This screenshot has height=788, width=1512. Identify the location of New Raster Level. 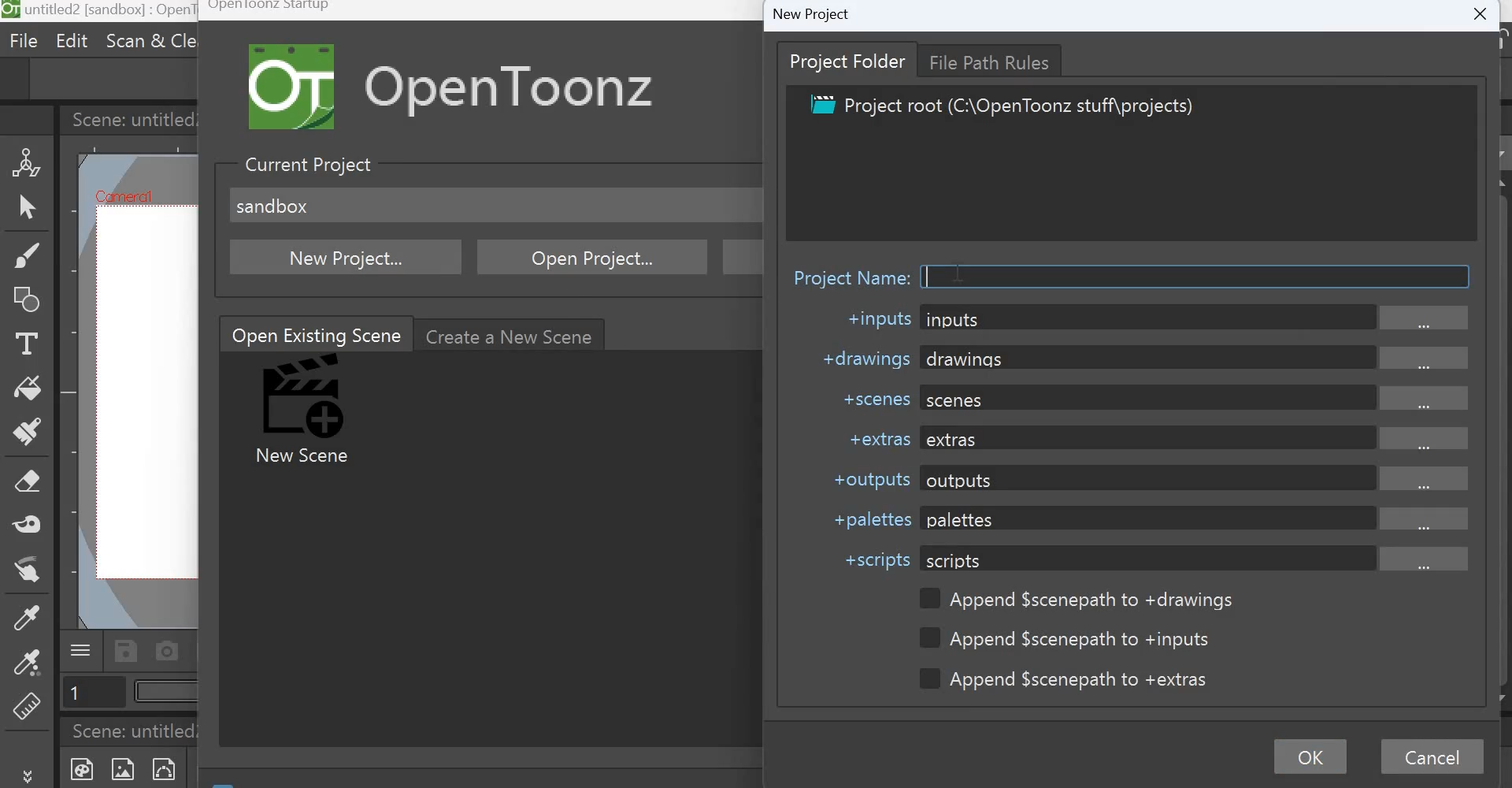
(128, 769).